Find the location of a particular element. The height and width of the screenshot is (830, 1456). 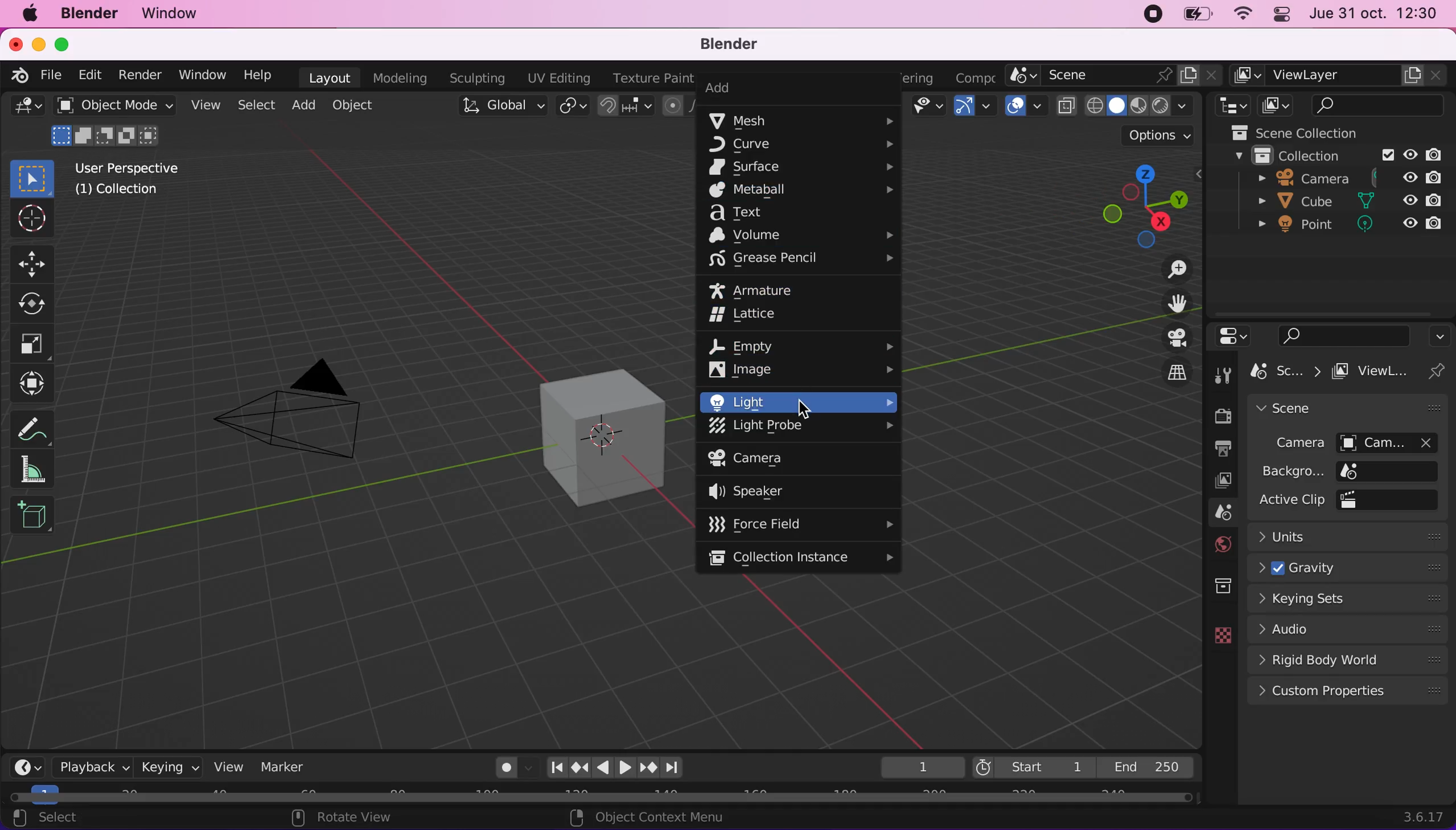

modeling is located at coordinates (401, 77).